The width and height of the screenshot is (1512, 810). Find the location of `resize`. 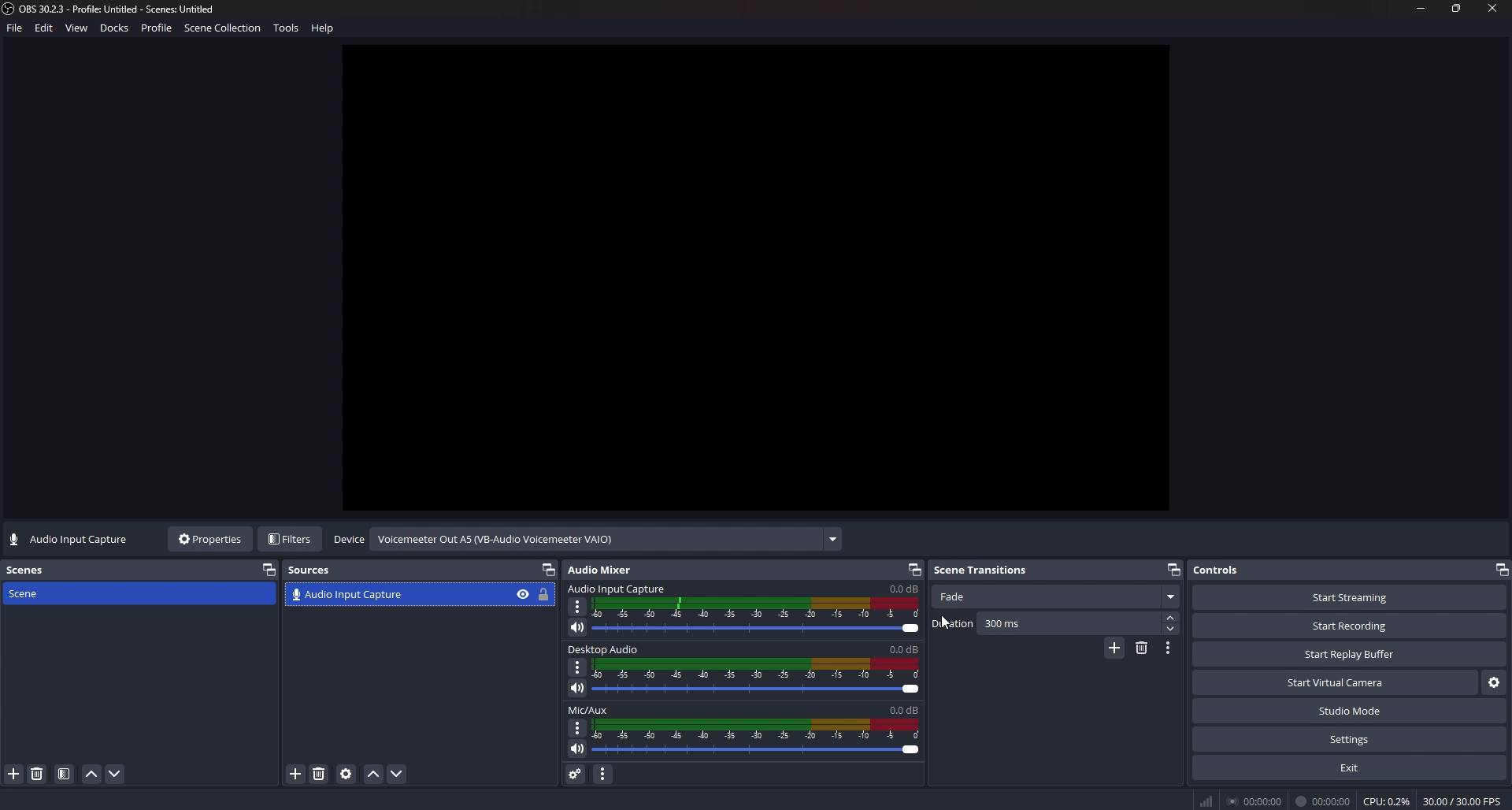

resize is located at coordinates (1458, 7).